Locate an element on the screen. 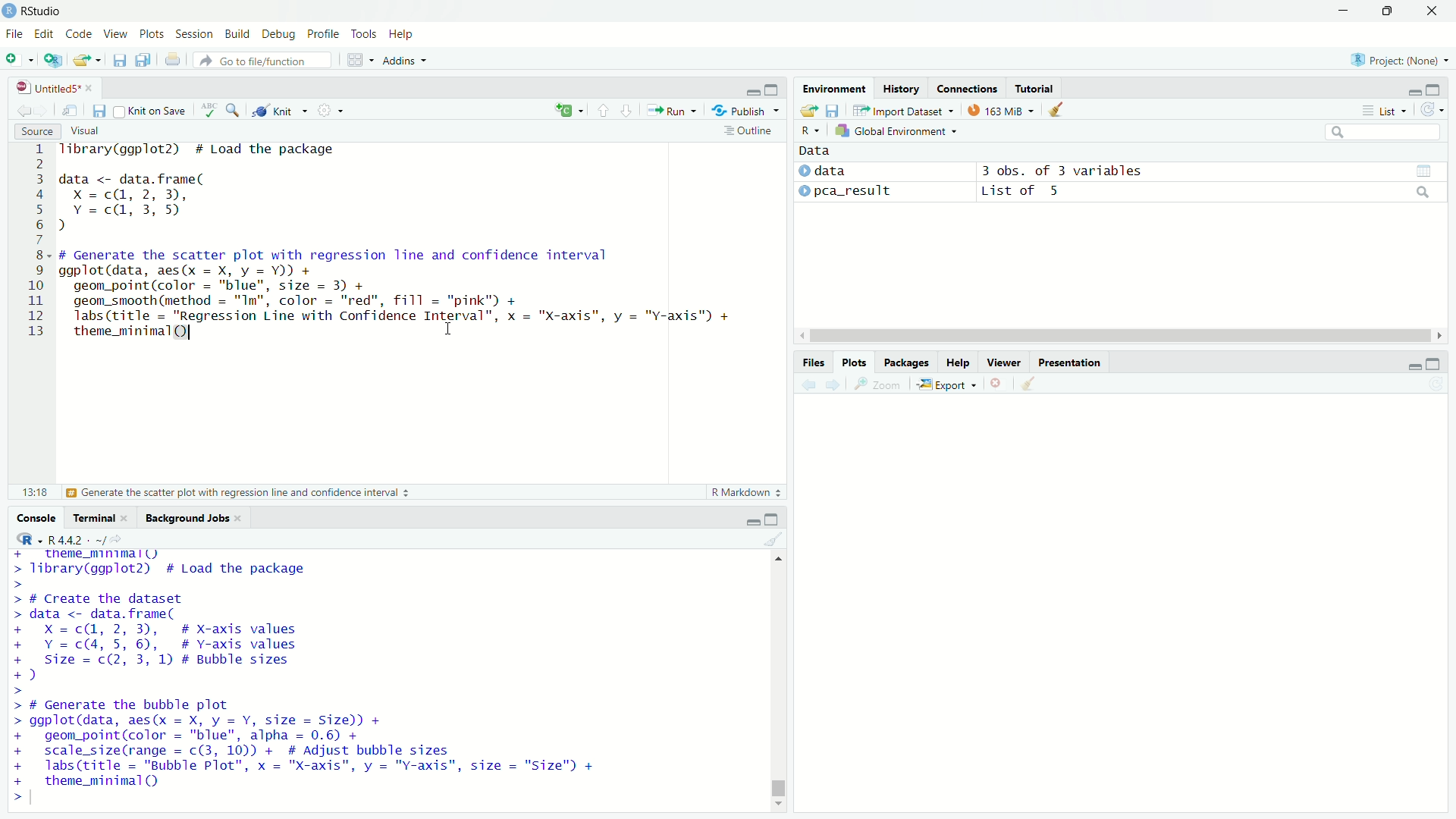 Image resolution: width=1456 pixels, height=819 pixels. R4.4.2. ~ is located at coordinates (74, 538).